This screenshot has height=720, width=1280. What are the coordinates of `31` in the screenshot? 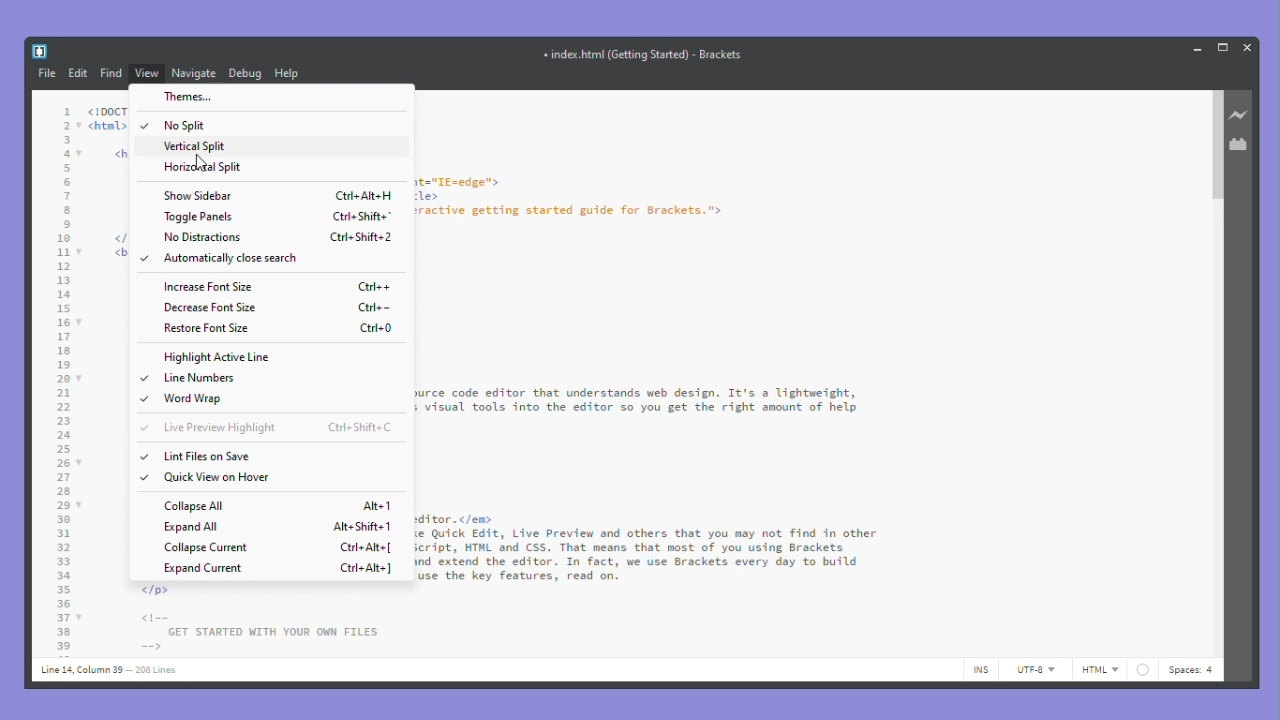 It's located at (63, 533).